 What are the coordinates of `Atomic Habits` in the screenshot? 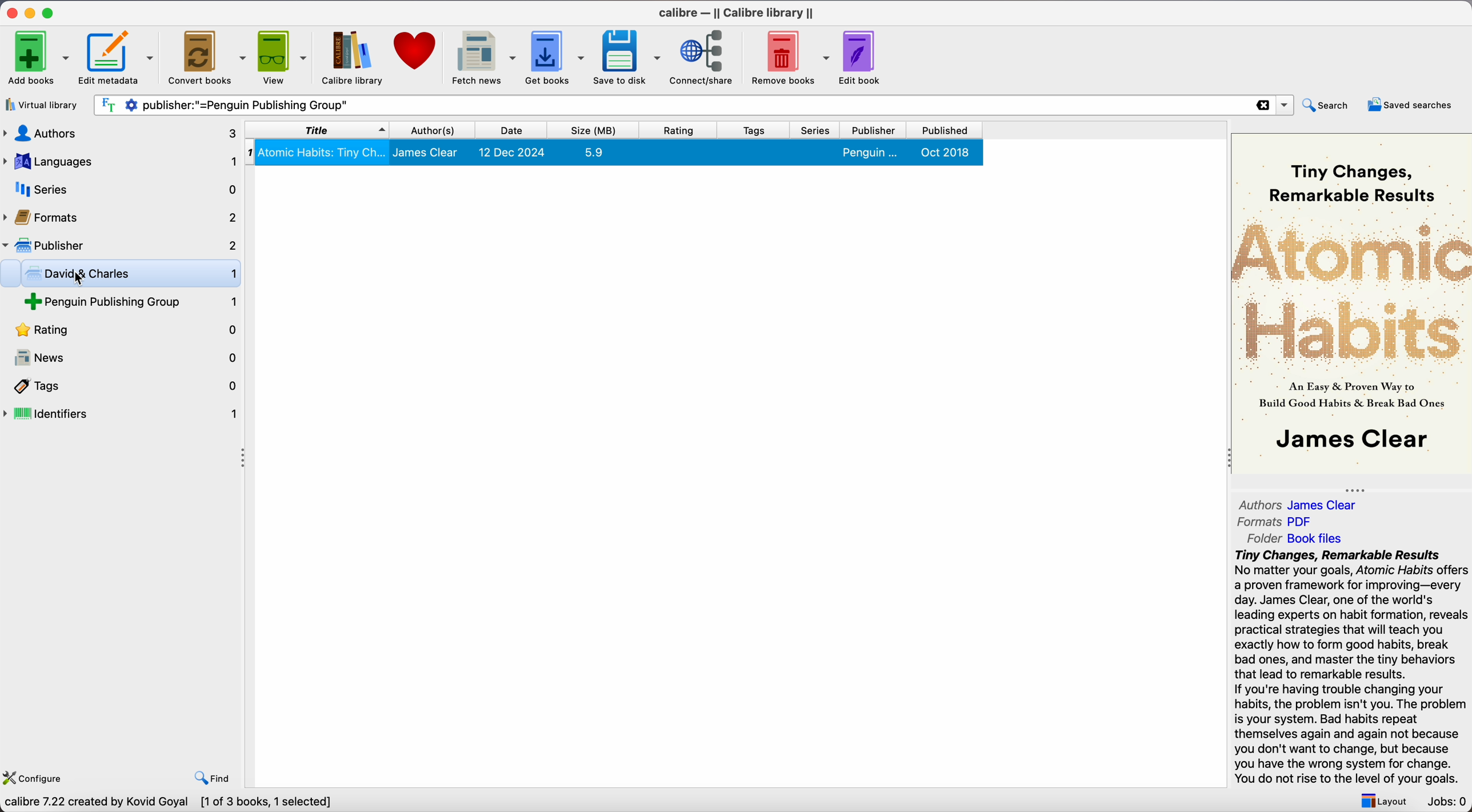 It's located at (615, 151).